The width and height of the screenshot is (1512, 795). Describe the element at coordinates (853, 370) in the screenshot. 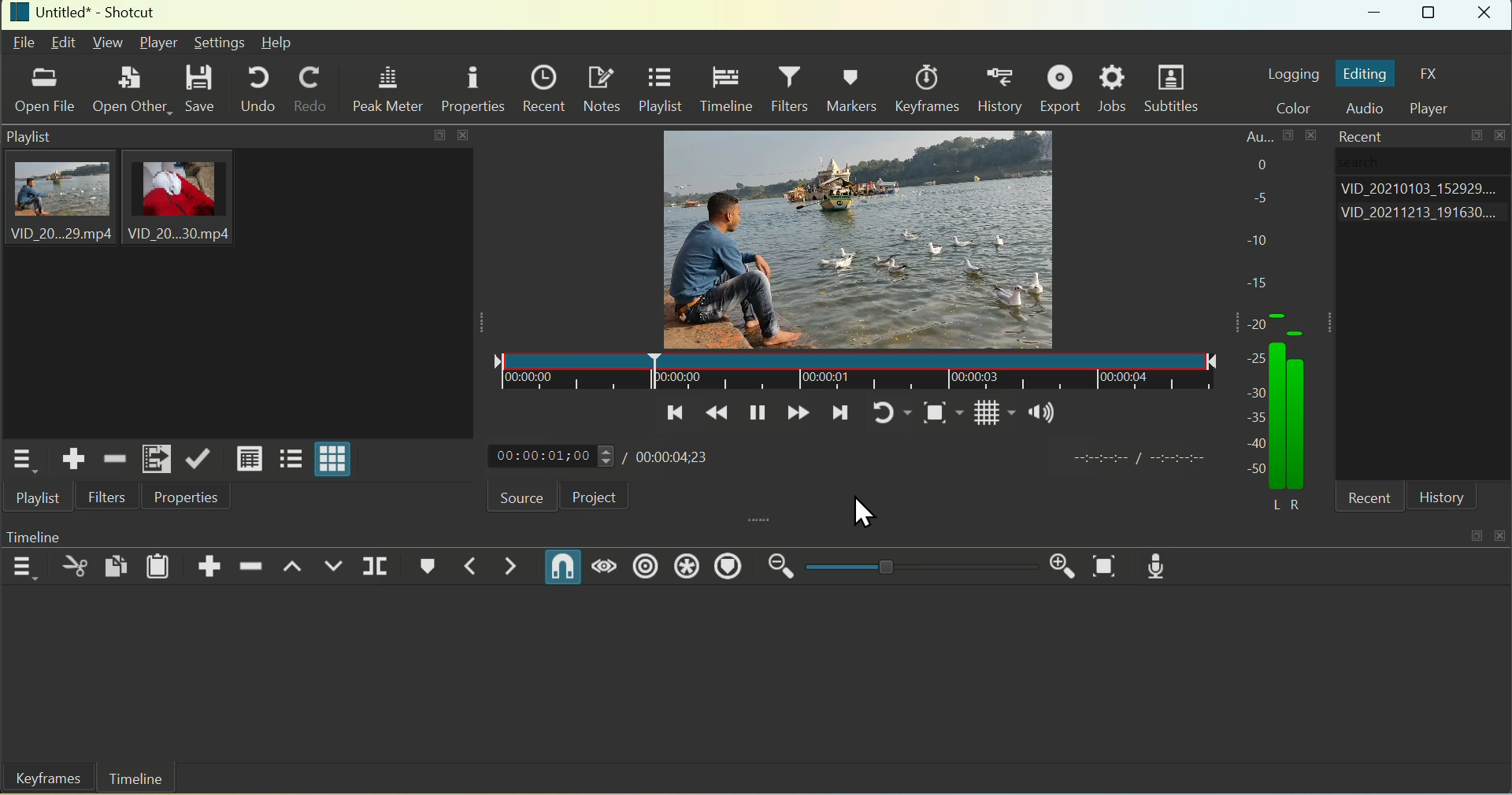

I see `marker` at that location.